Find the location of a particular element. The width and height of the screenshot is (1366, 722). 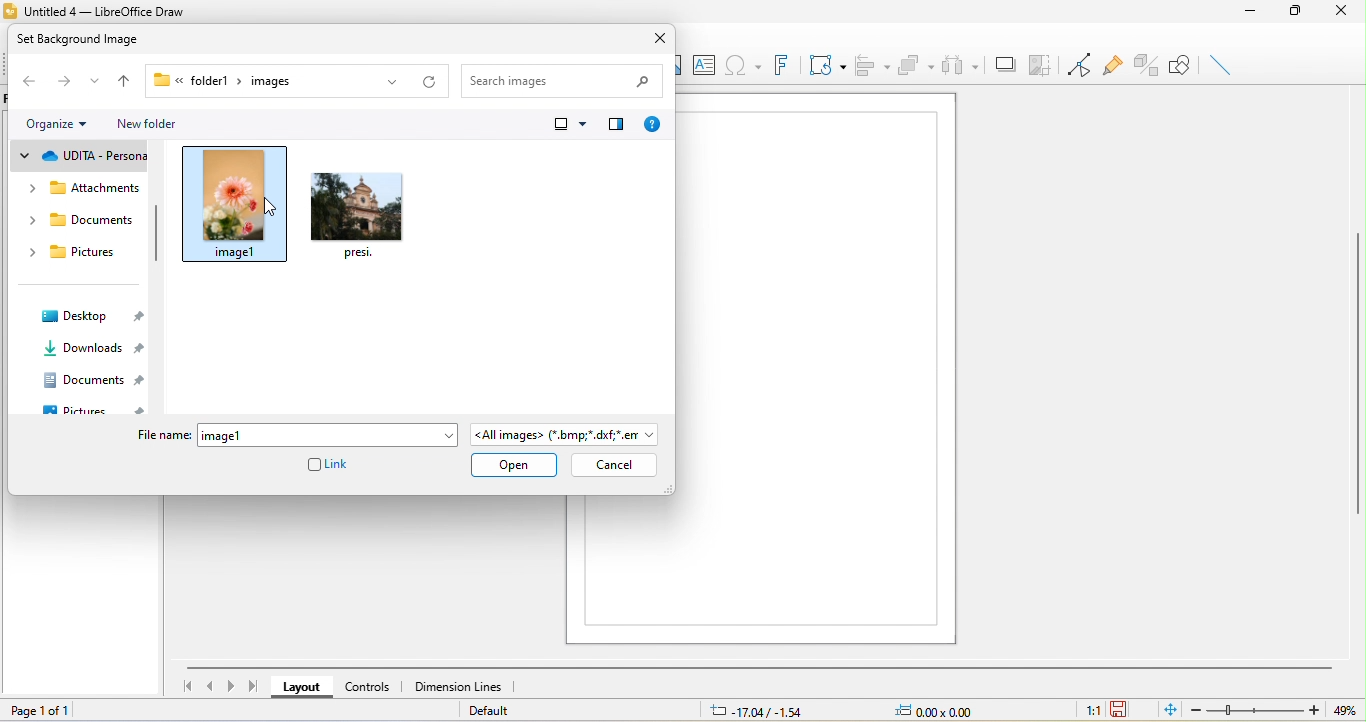

cursor movement is located at coordinates (273, 210).